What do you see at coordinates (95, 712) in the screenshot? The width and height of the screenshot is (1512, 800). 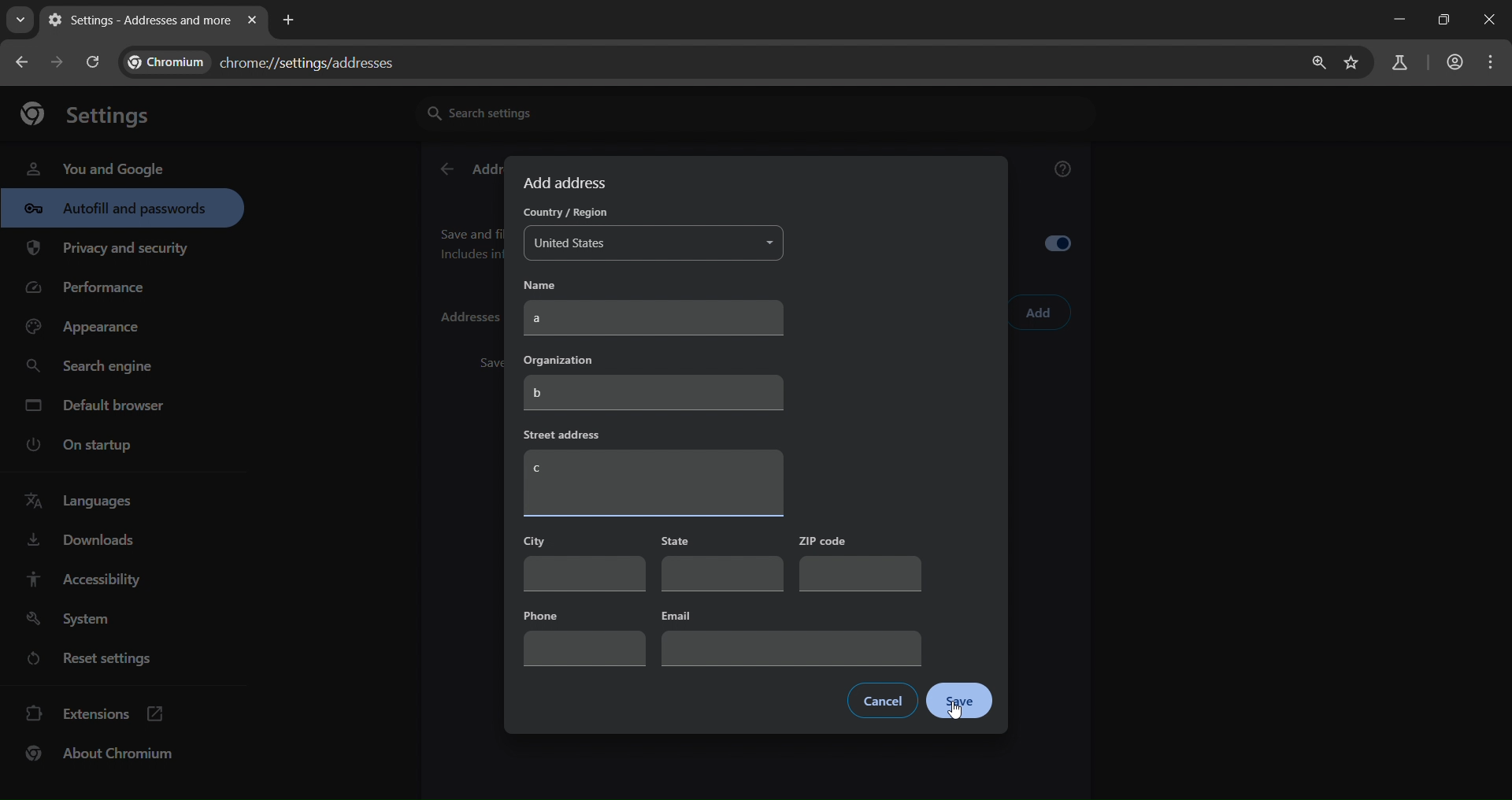 I see `extensions` at bounding box center [95, 712].